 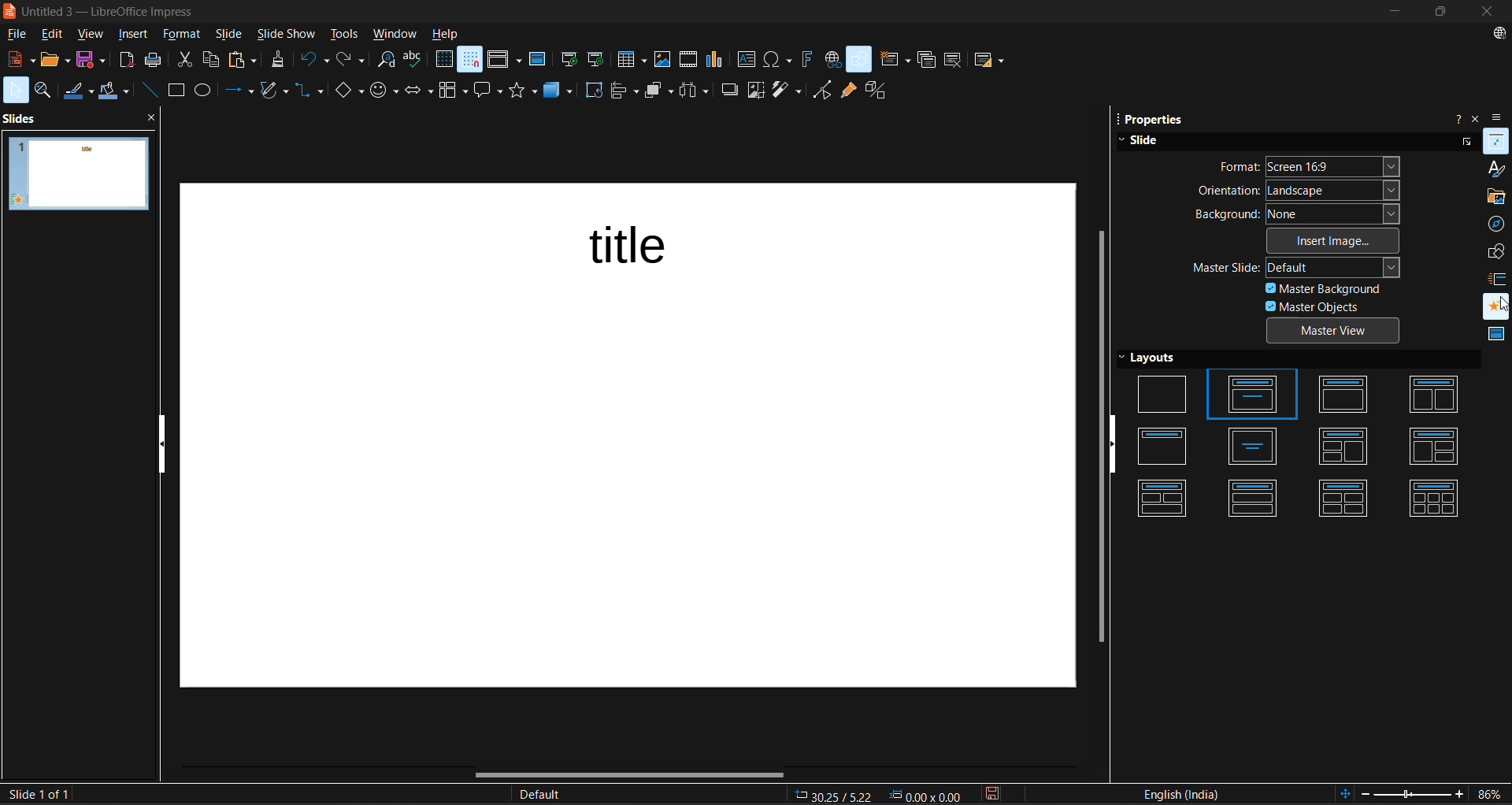 I want to click on insert text box, so click(x=744, y=60).